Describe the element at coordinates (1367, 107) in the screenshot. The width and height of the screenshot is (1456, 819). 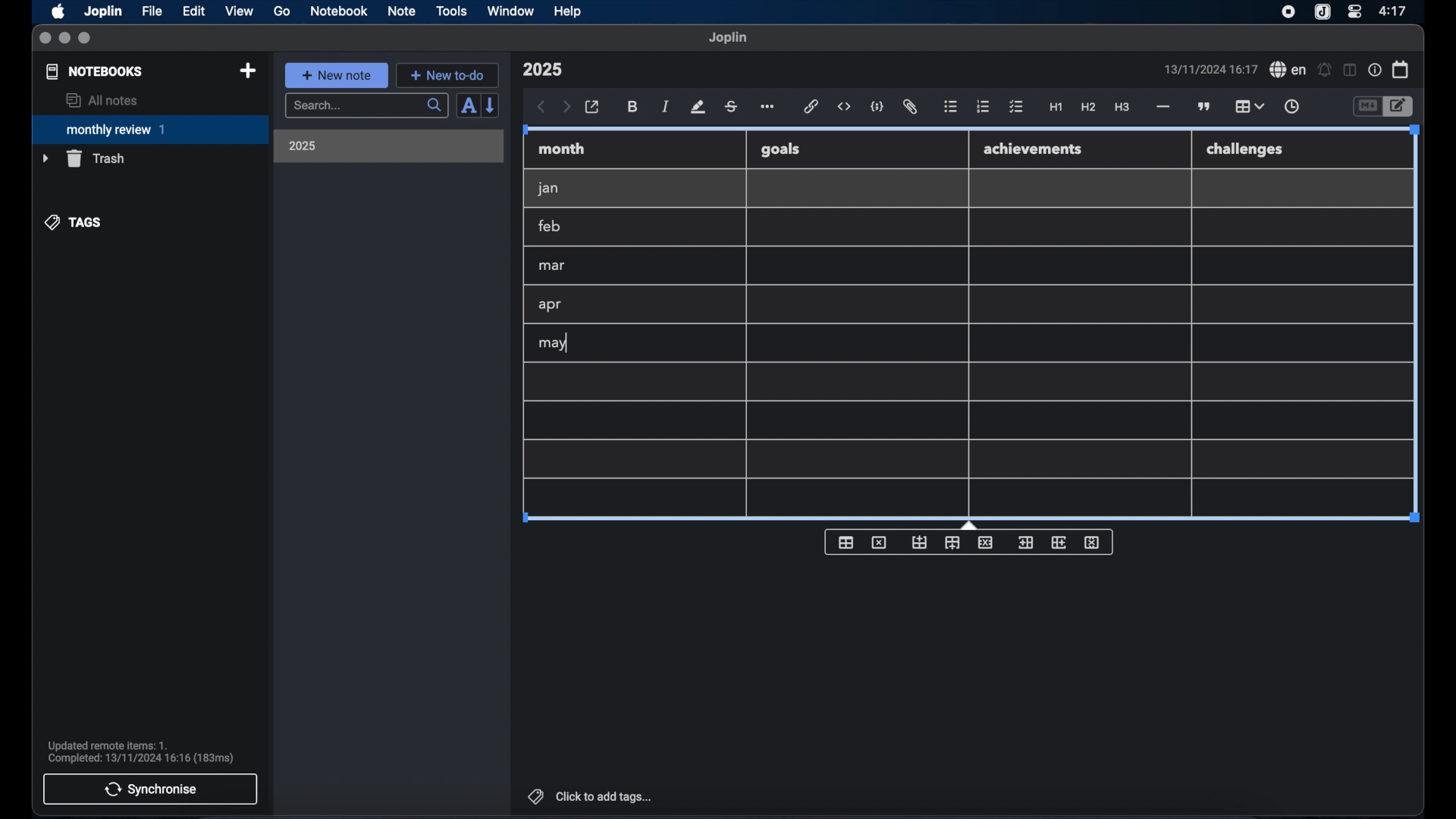
I see `toggle editor` at that location.